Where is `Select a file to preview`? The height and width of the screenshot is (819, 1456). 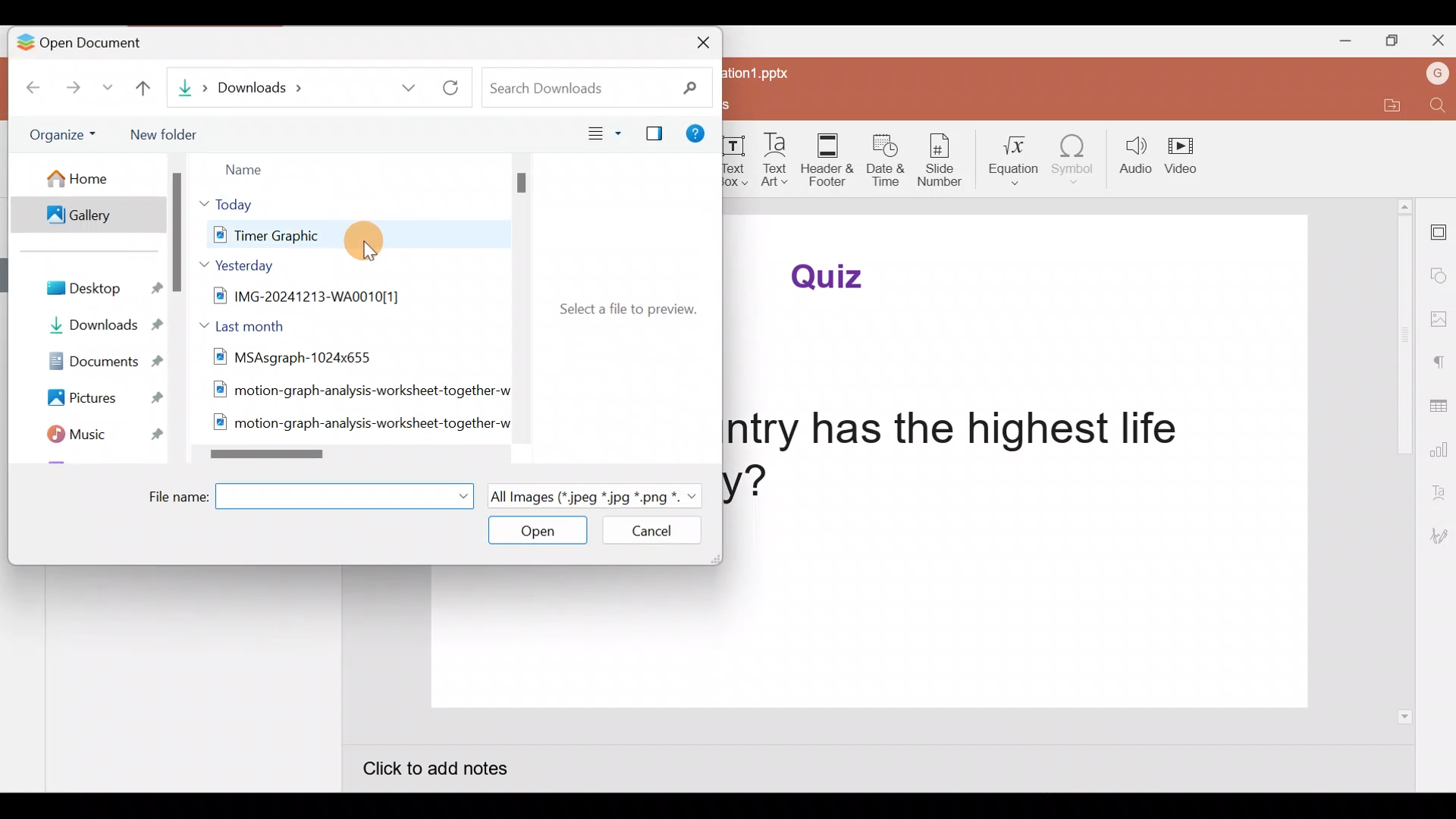
Select a file to preview is located at coordinates (623, 306).